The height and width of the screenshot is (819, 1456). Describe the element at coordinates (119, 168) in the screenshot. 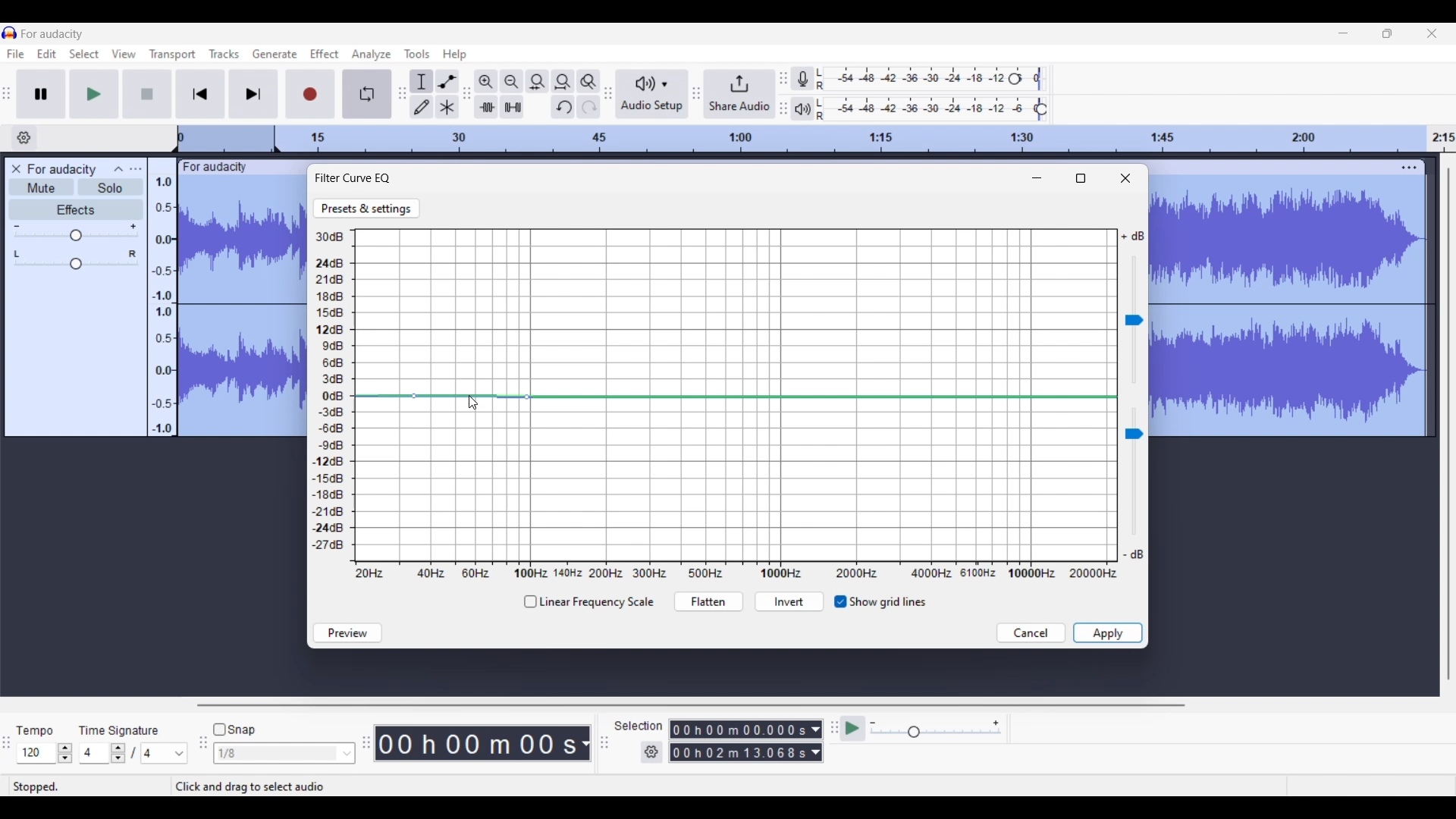

I see `Collapse` at that location.